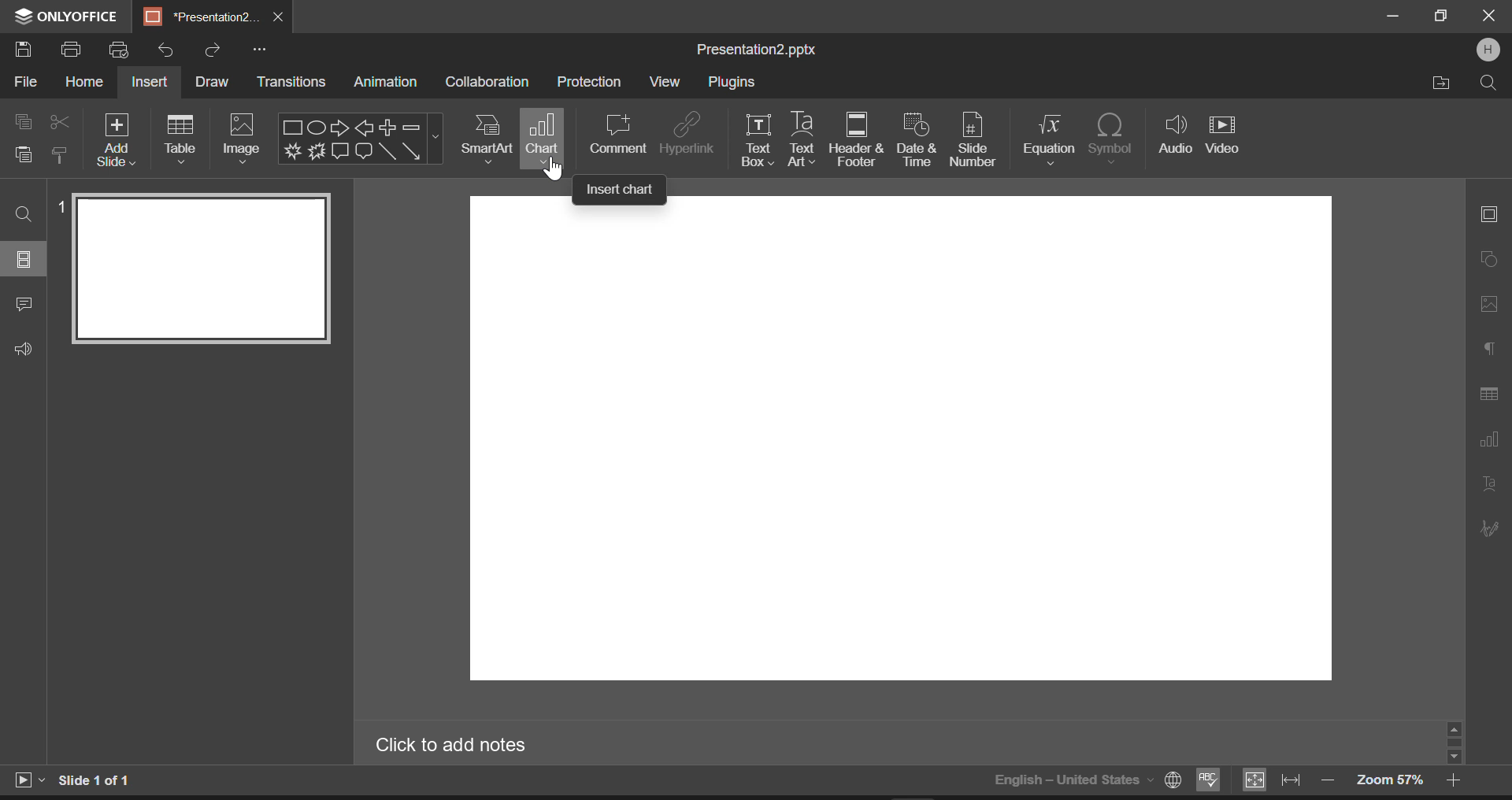 The height and width of the screenshot is (800, 1512). I want to click on Rectangle Callout, so click(339, 151).